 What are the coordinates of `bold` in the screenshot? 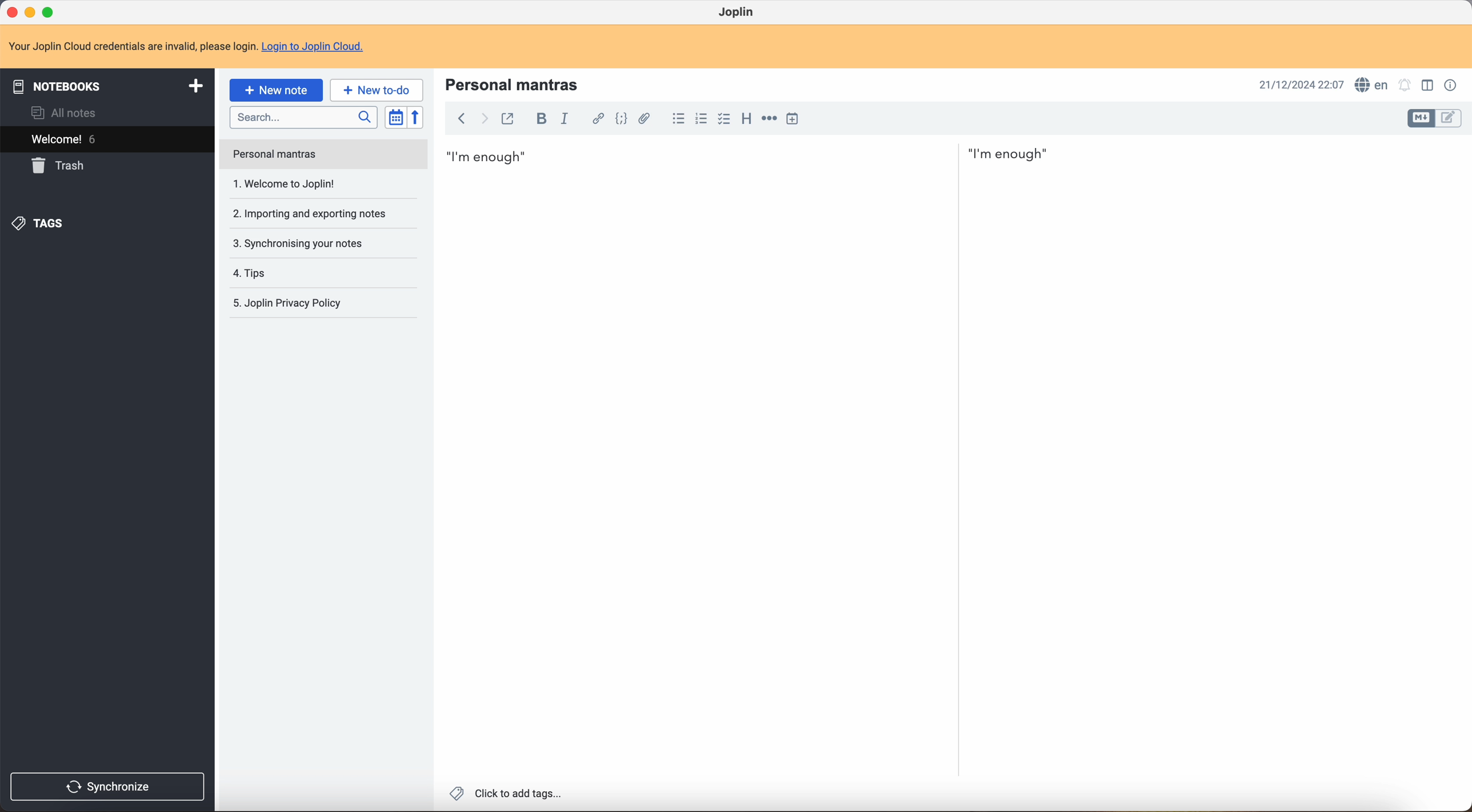 It's located at (543, 118).